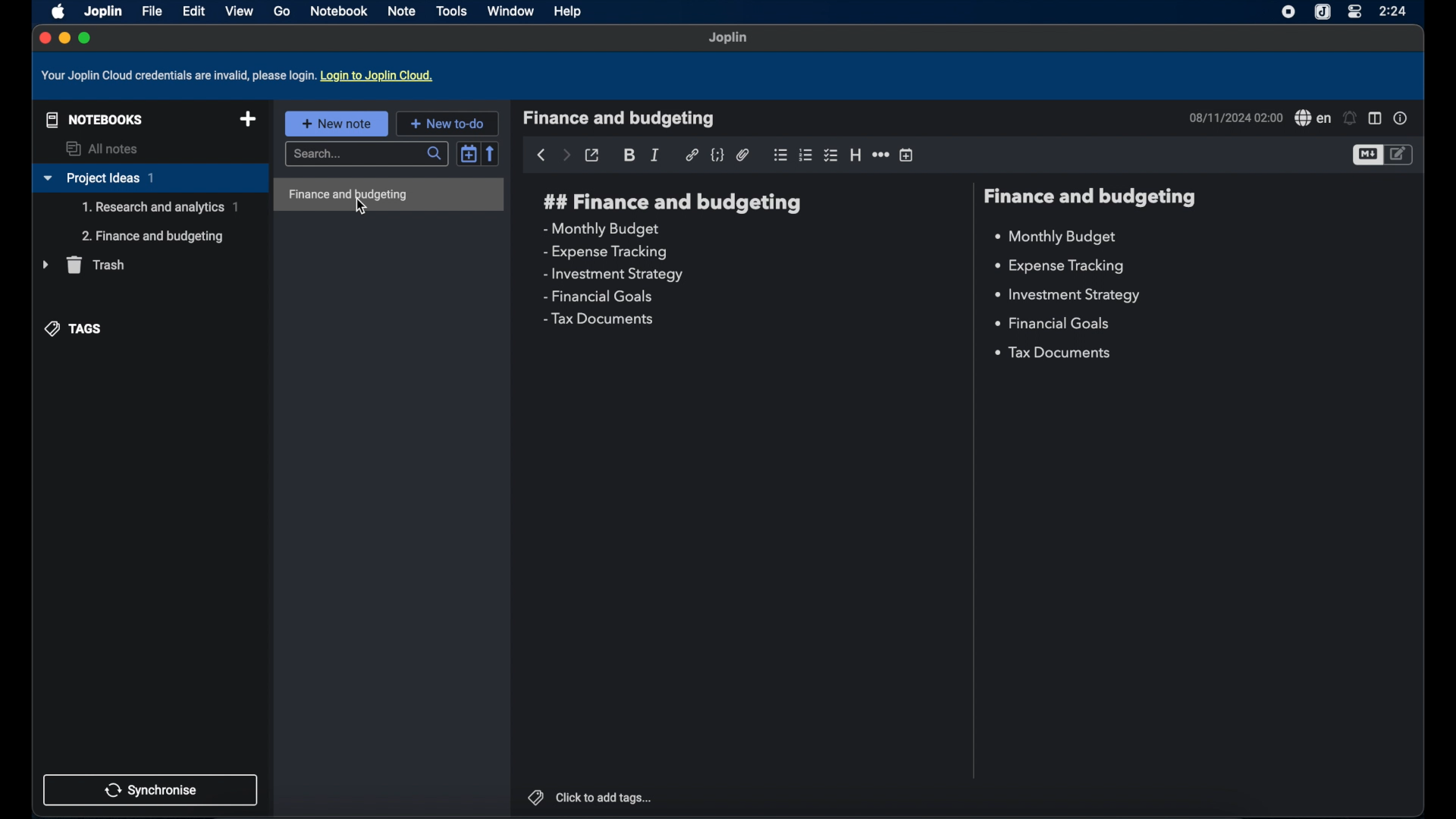  What do you see at coordinates (104, 149) in the screenshot?
I see `all notes` at bounding box center [104, 149].